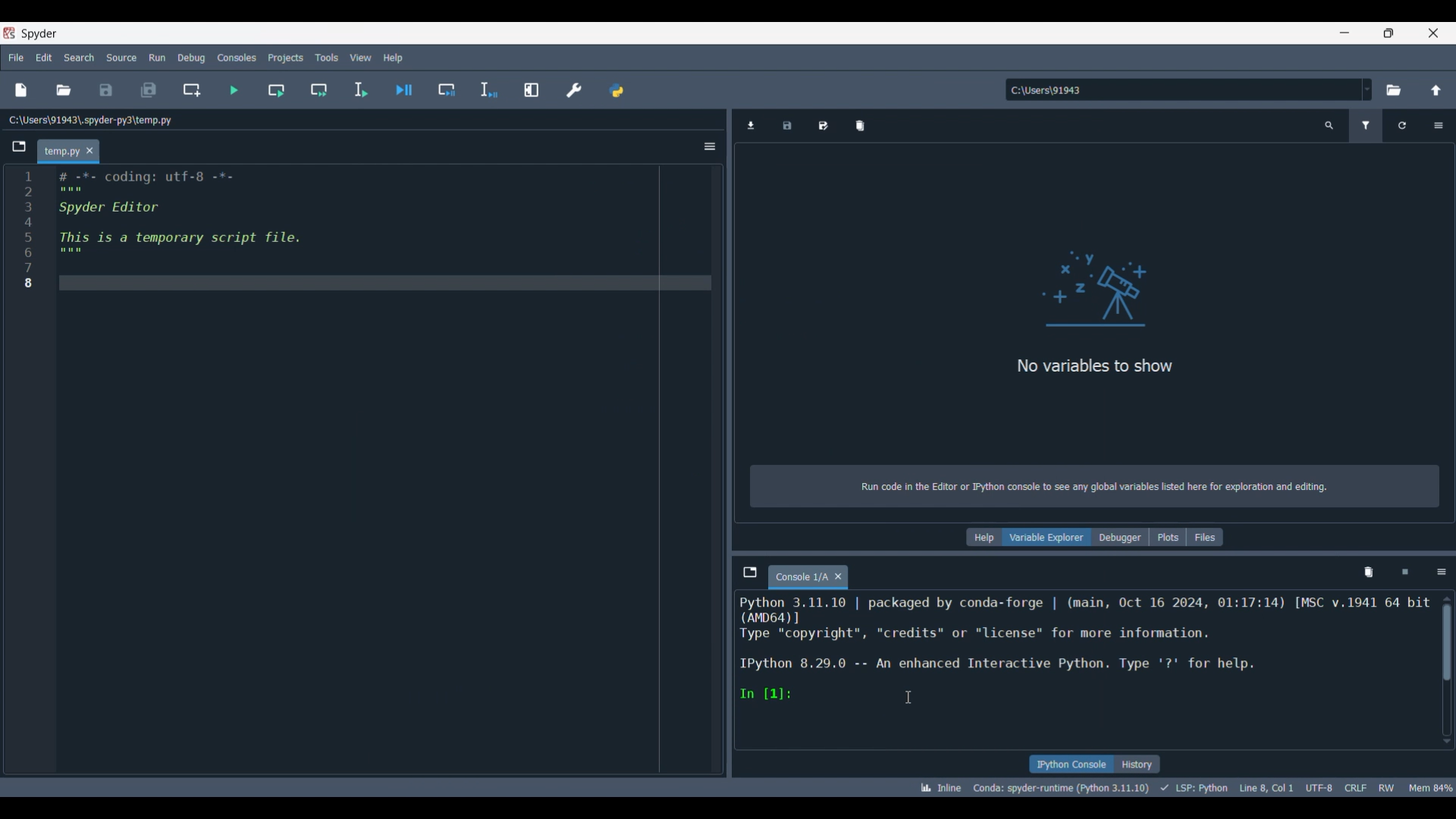  I want to click on Close tab, so click(838, 576).